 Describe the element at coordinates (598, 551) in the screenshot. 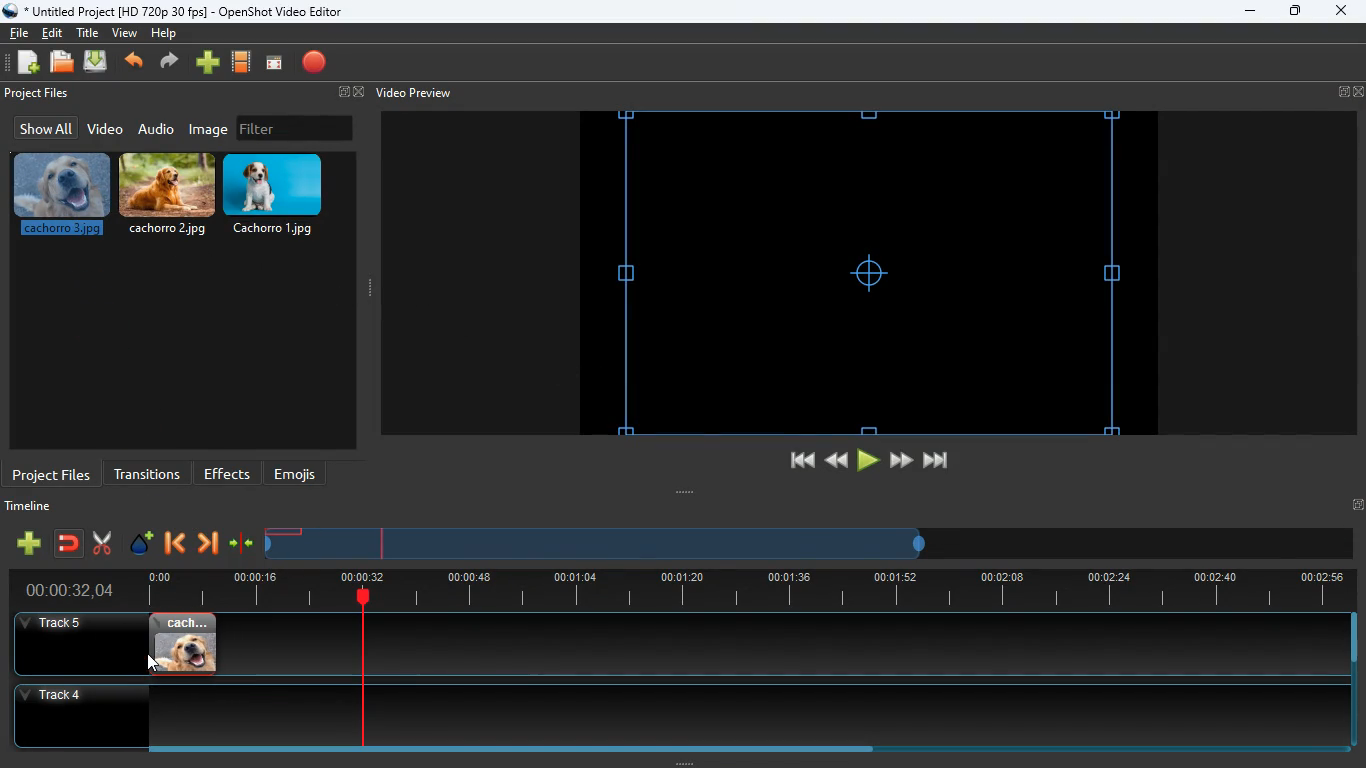

I see `timeline` at that location.